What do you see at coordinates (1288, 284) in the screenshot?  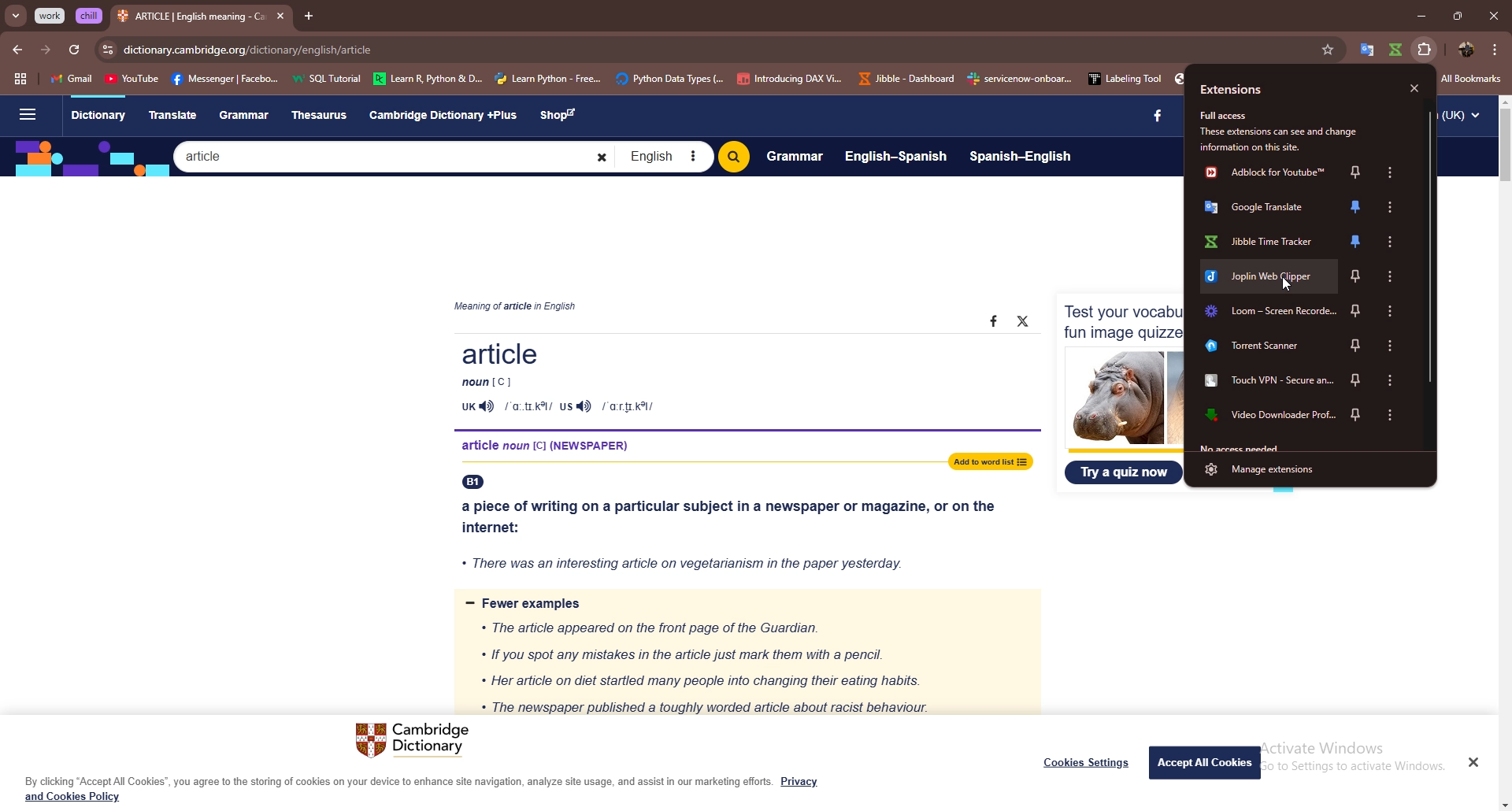 I see `Cursor` at bounding box center [1288, 284].